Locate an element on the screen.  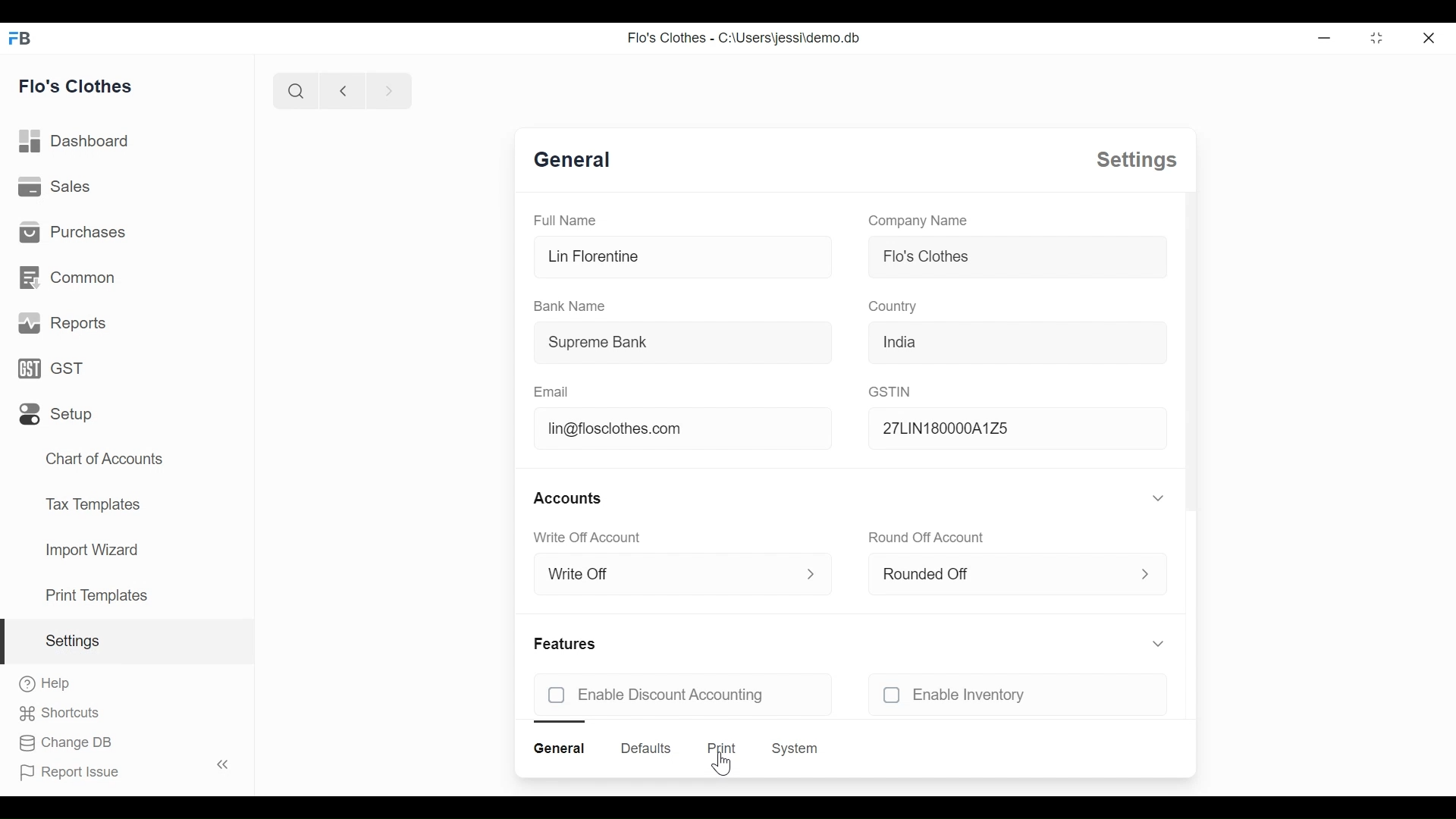
toggle sidebar is located at coordinates (224, 764).